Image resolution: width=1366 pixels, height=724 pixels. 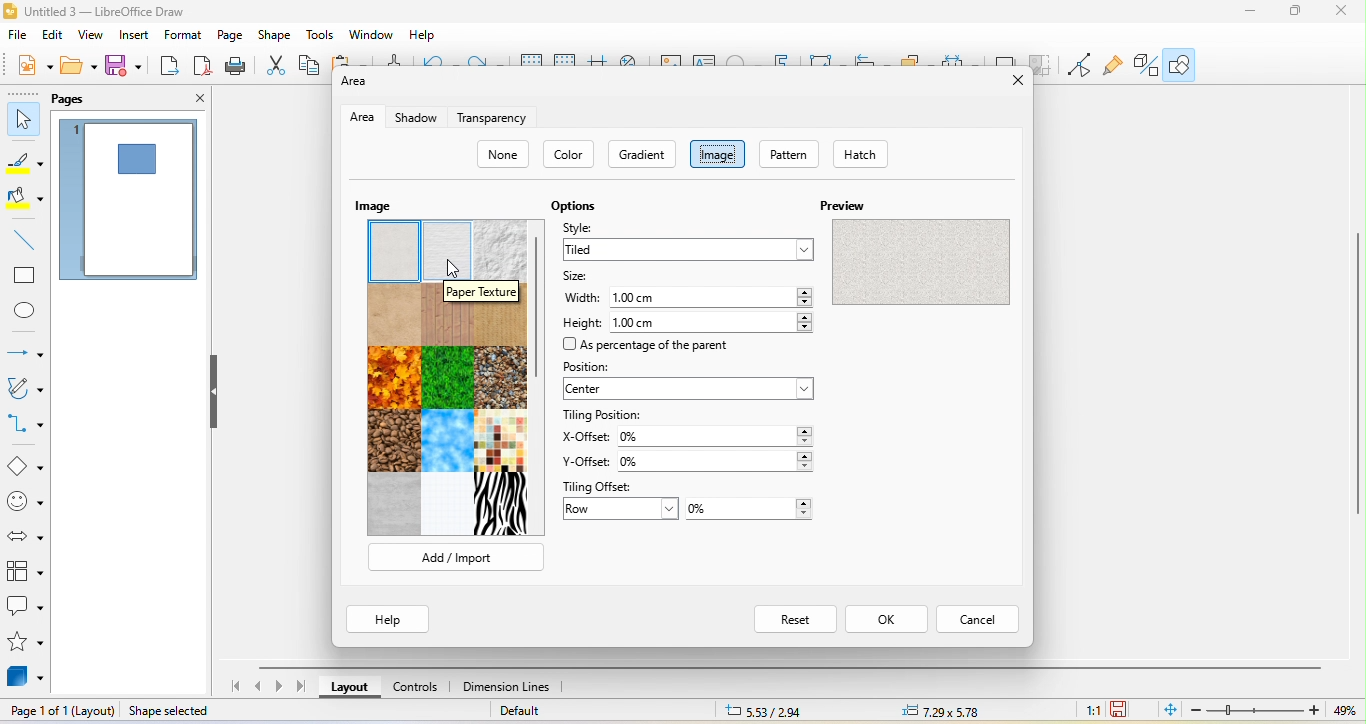 I want to click on as percentage of the parent, so click(x=651, y=345).